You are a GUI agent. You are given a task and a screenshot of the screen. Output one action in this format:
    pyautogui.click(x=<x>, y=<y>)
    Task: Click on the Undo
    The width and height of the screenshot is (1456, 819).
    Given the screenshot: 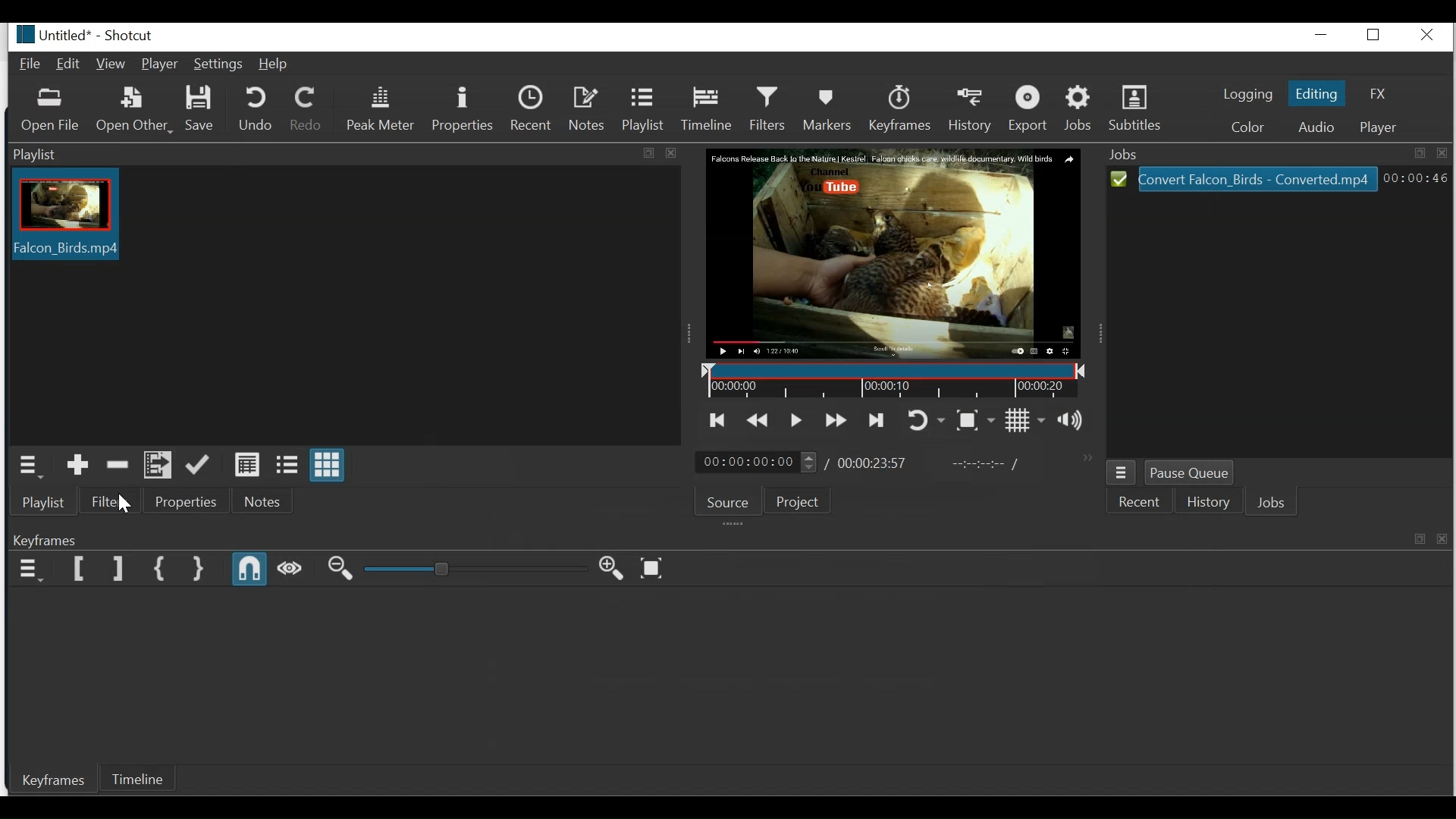 What is the action you would take?
    pyautogui.click(x=256, y=109)
    